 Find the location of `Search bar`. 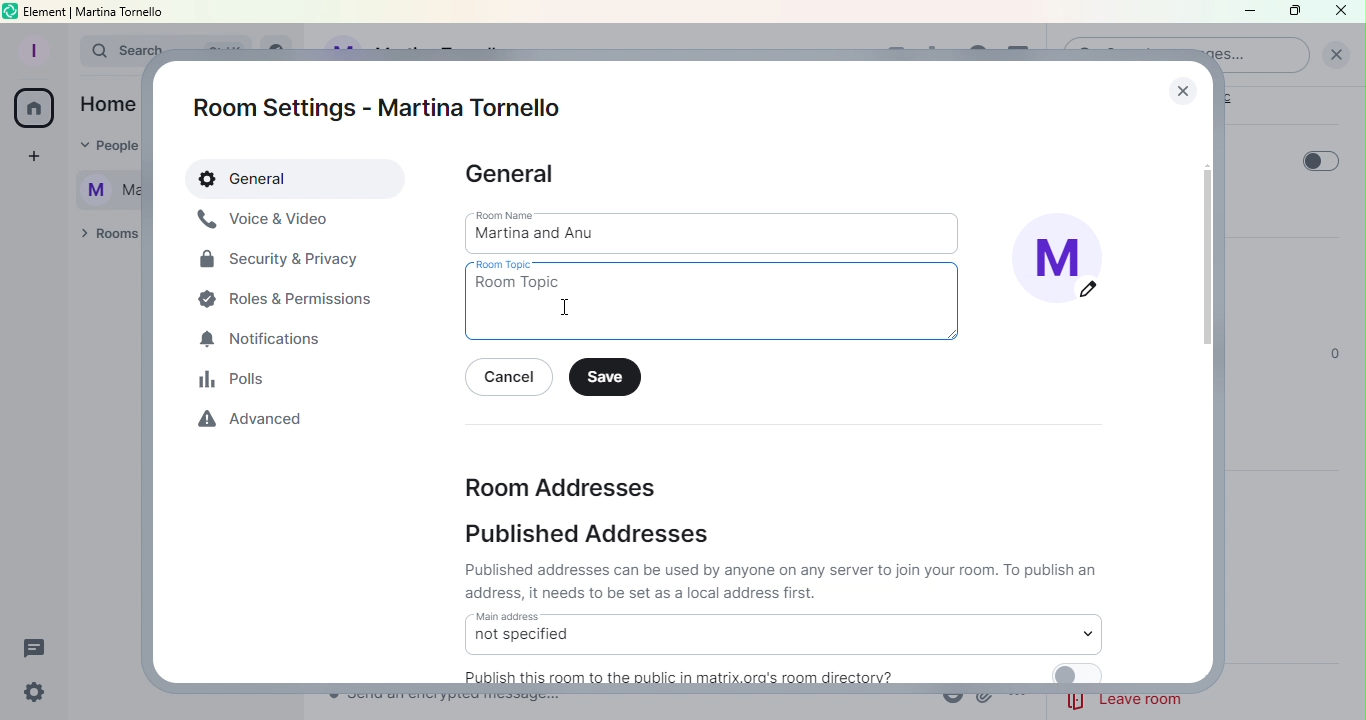

Search bar is located at coordinates (106, 51).